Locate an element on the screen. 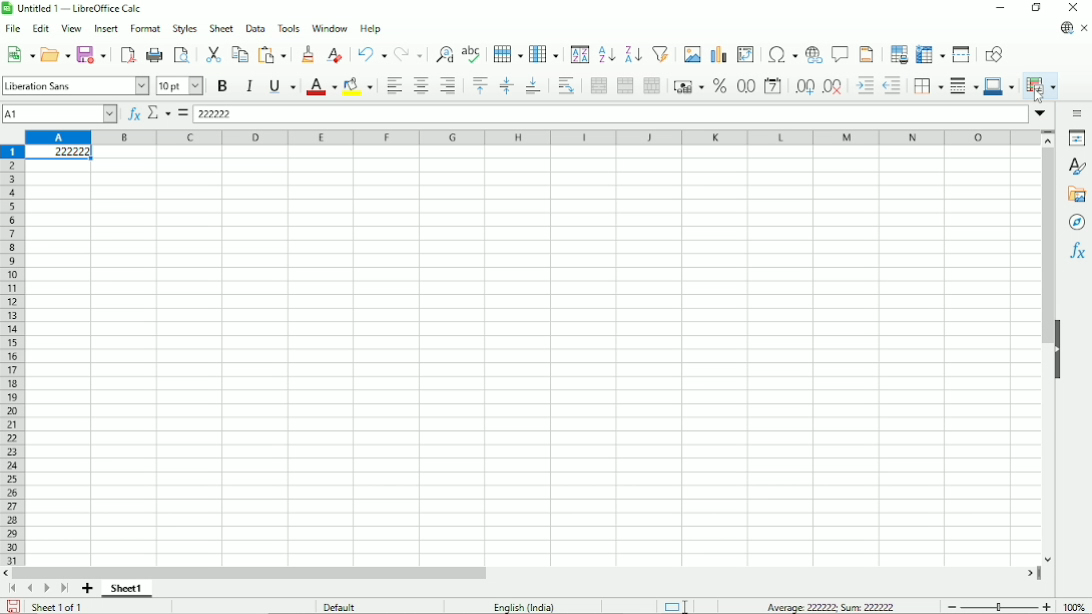 The height and width of the screenshot is (614, 1092). Export directly as PDF is located at coordinates (128, 55).